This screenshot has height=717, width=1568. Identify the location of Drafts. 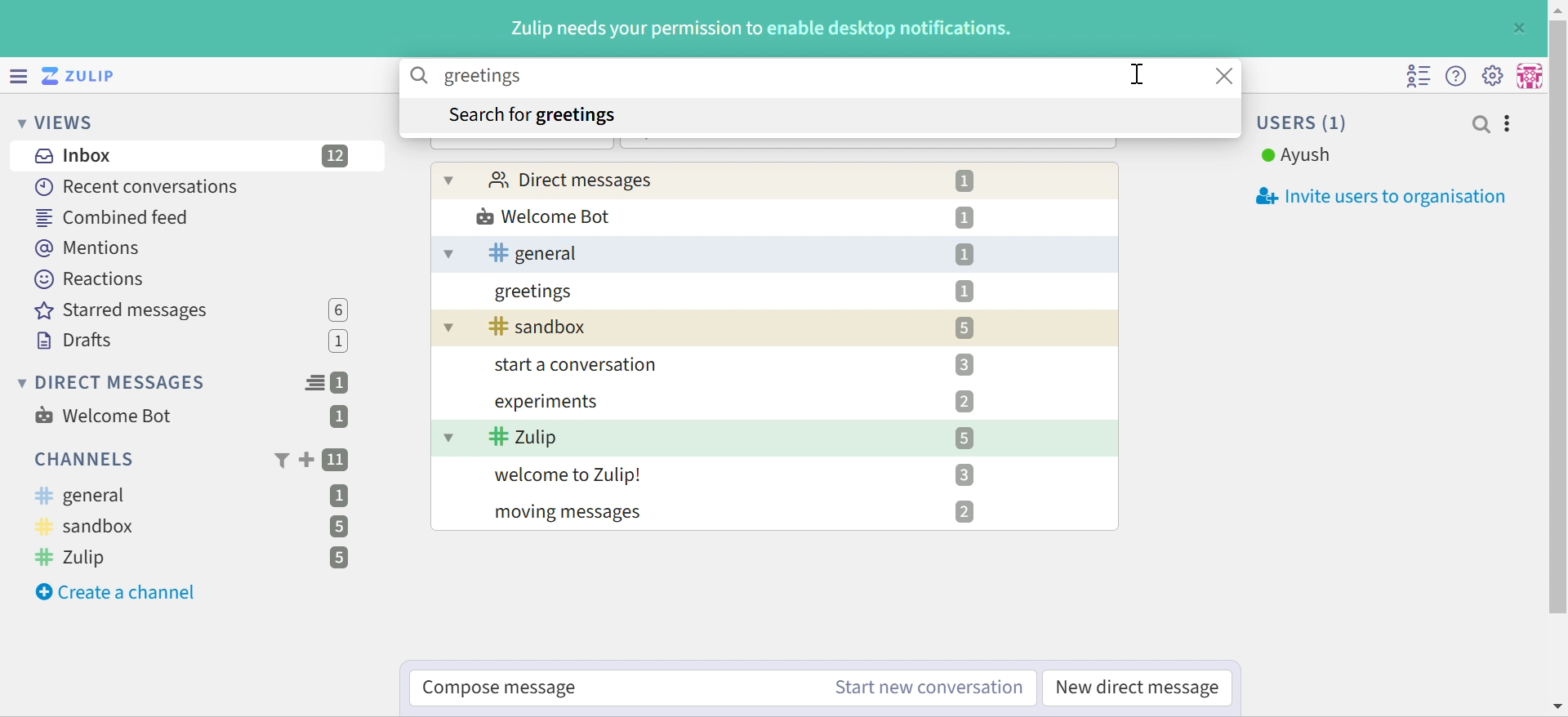
(74, 341).